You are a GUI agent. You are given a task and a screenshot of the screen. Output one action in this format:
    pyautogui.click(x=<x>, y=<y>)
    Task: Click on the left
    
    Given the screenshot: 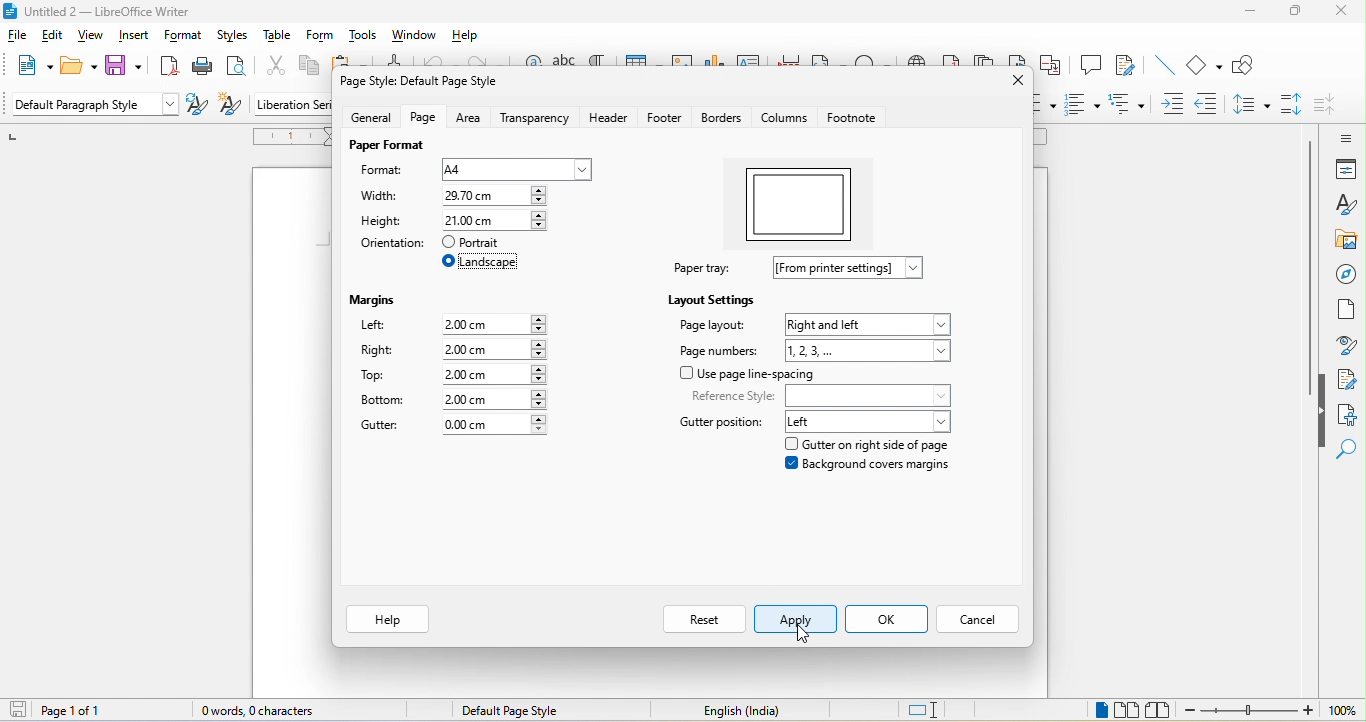 What is the action you would take?
    pyautogui.click(x=871, y=421)
    